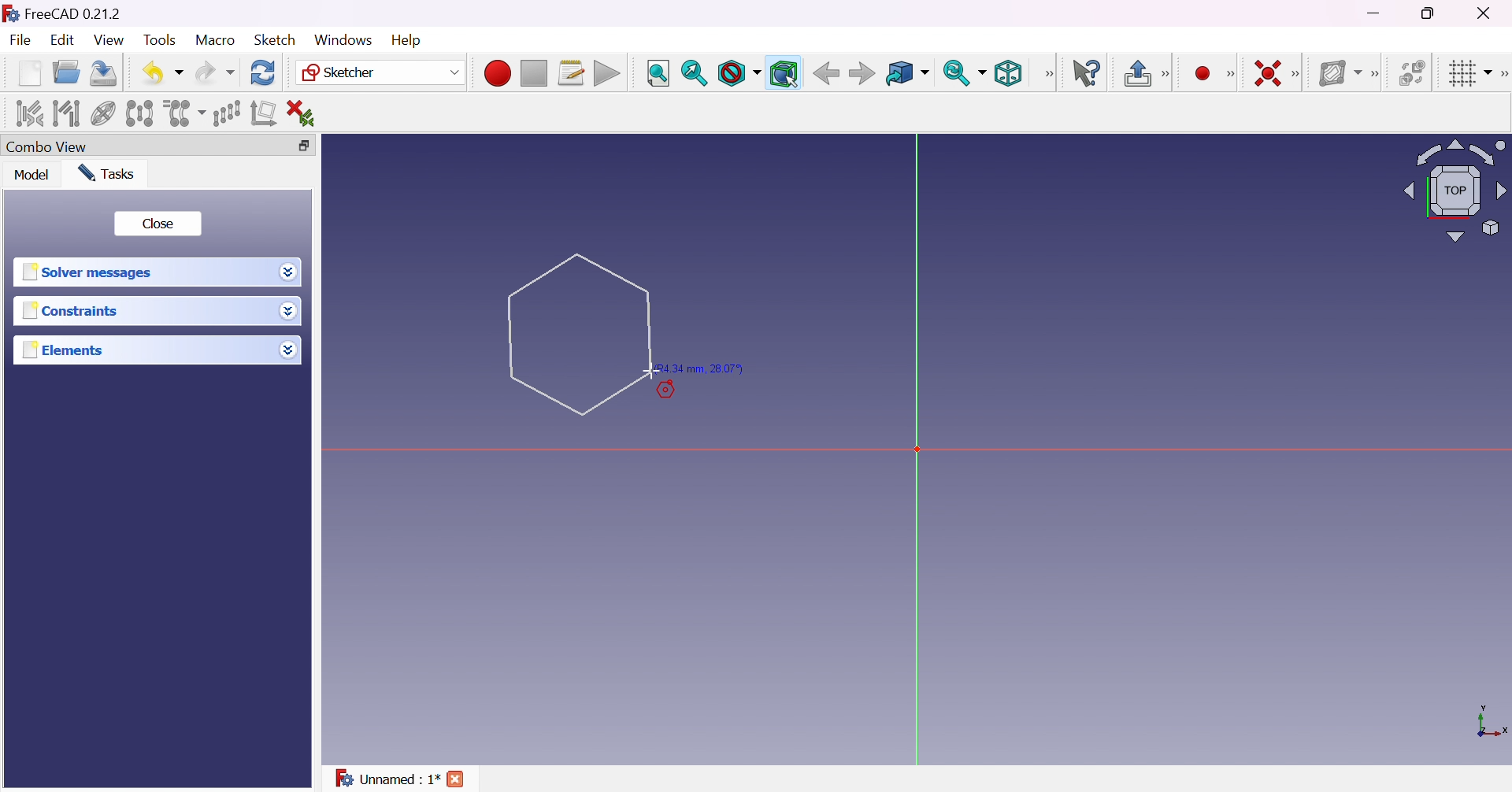 The image size is (1512, 792). What do you see at coordinates (1266, 73) in the screenshot?
I see `Constrain coincident` at bounding box center [1266, 73].